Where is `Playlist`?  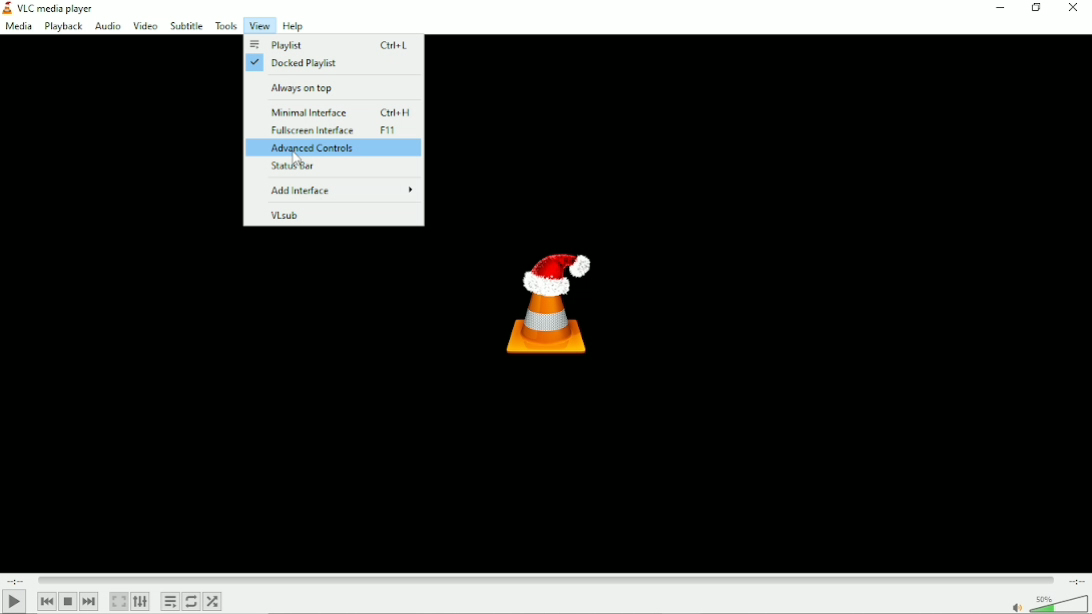 Playlist is located at coordinates (330, 45).